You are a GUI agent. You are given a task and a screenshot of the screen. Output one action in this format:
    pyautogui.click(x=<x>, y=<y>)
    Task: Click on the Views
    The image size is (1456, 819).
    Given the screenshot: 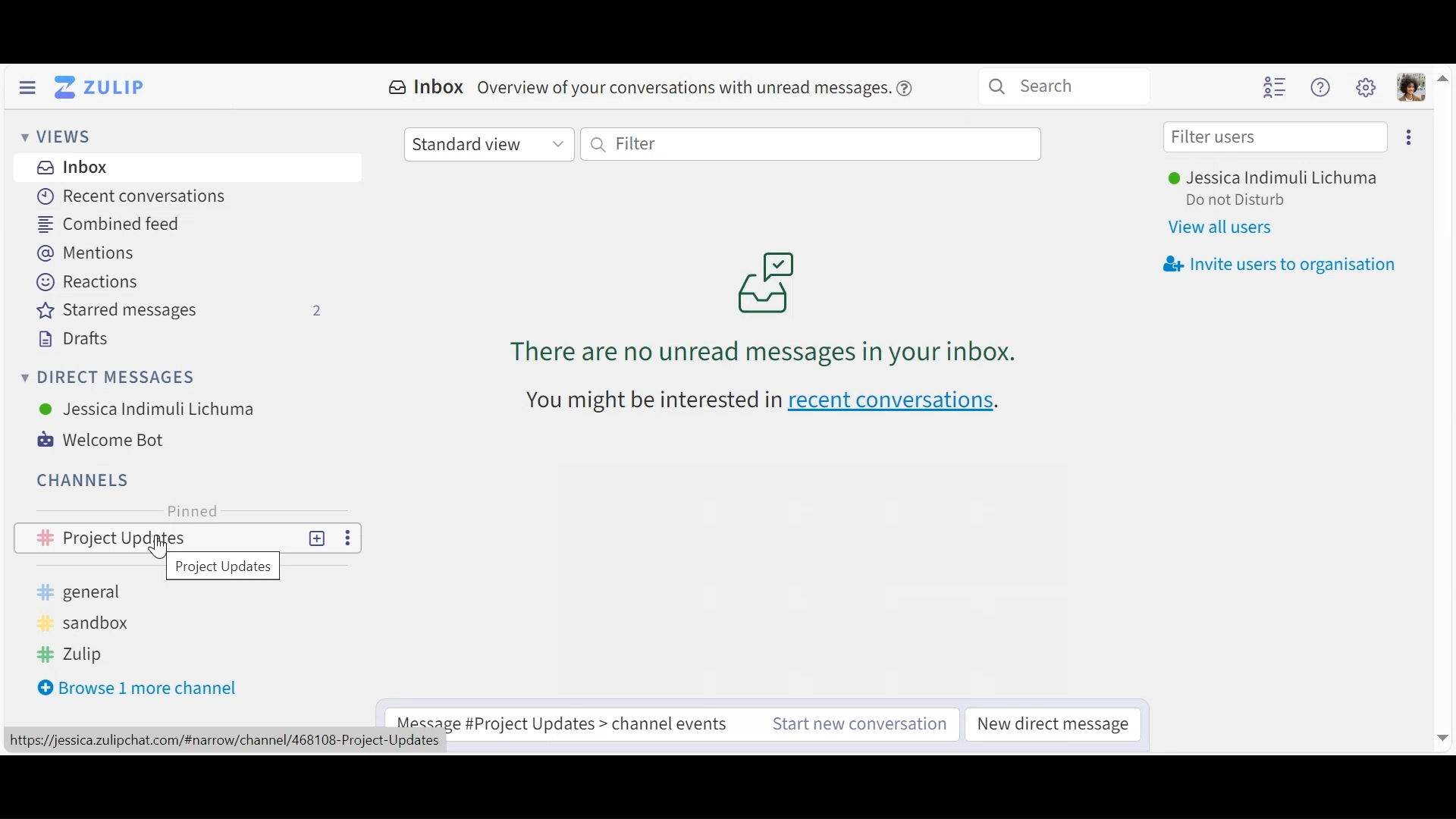 What is the action you would take?
    pyautogui.click(x=58, y=138)
    